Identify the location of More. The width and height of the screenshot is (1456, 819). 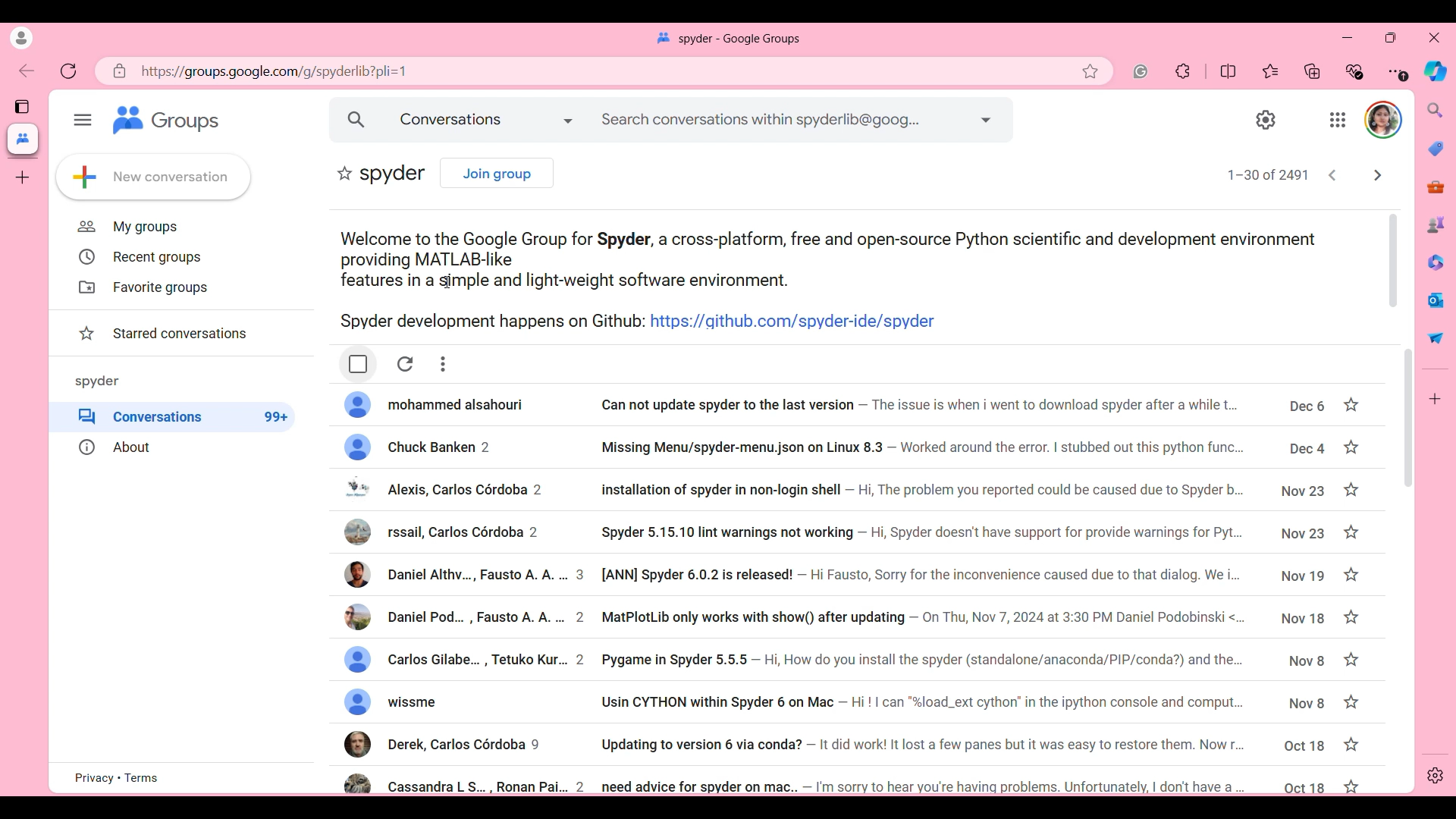
(443, 365).